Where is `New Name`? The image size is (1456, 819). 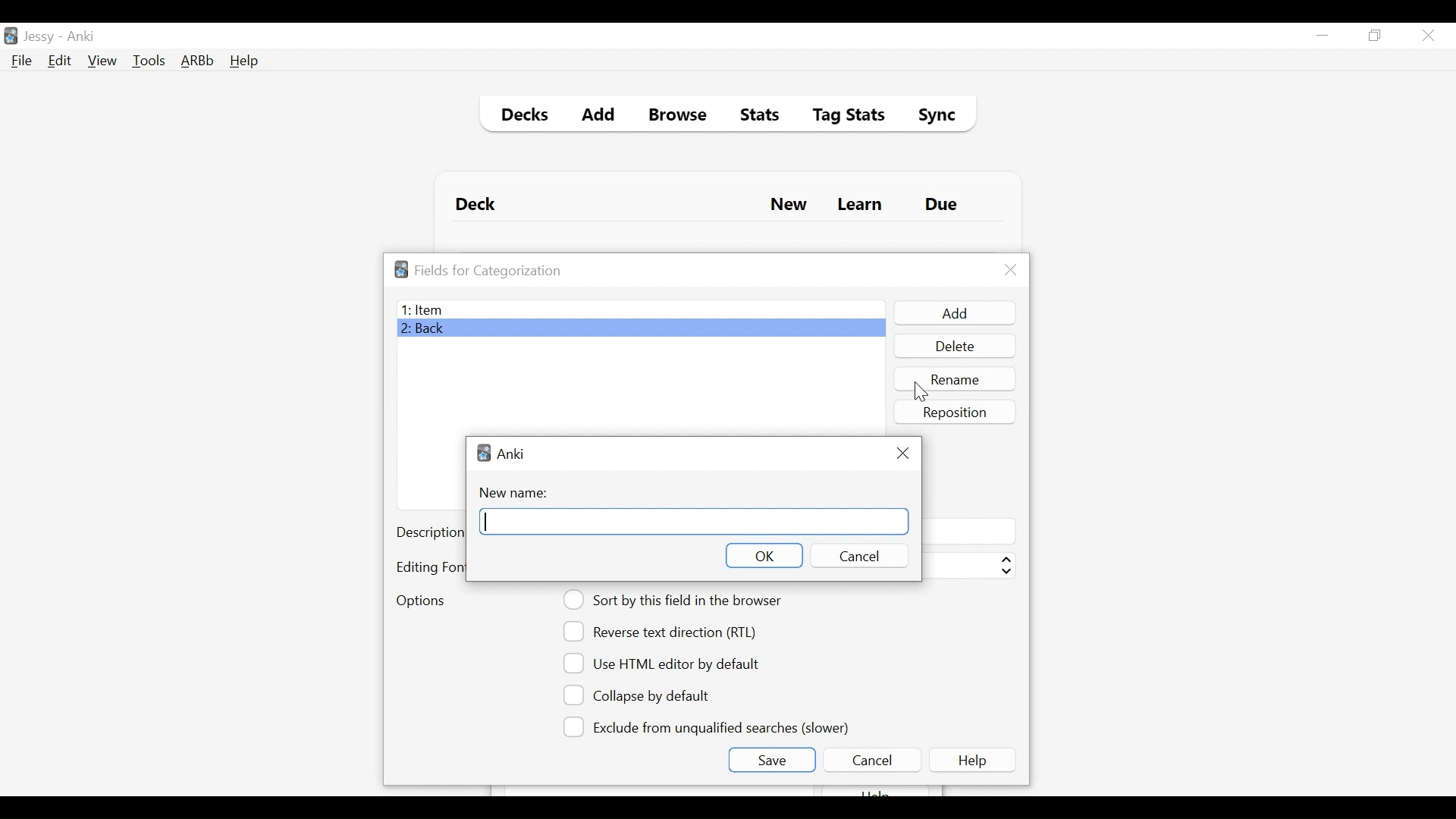 New Name is located at coordinates (518, 493).